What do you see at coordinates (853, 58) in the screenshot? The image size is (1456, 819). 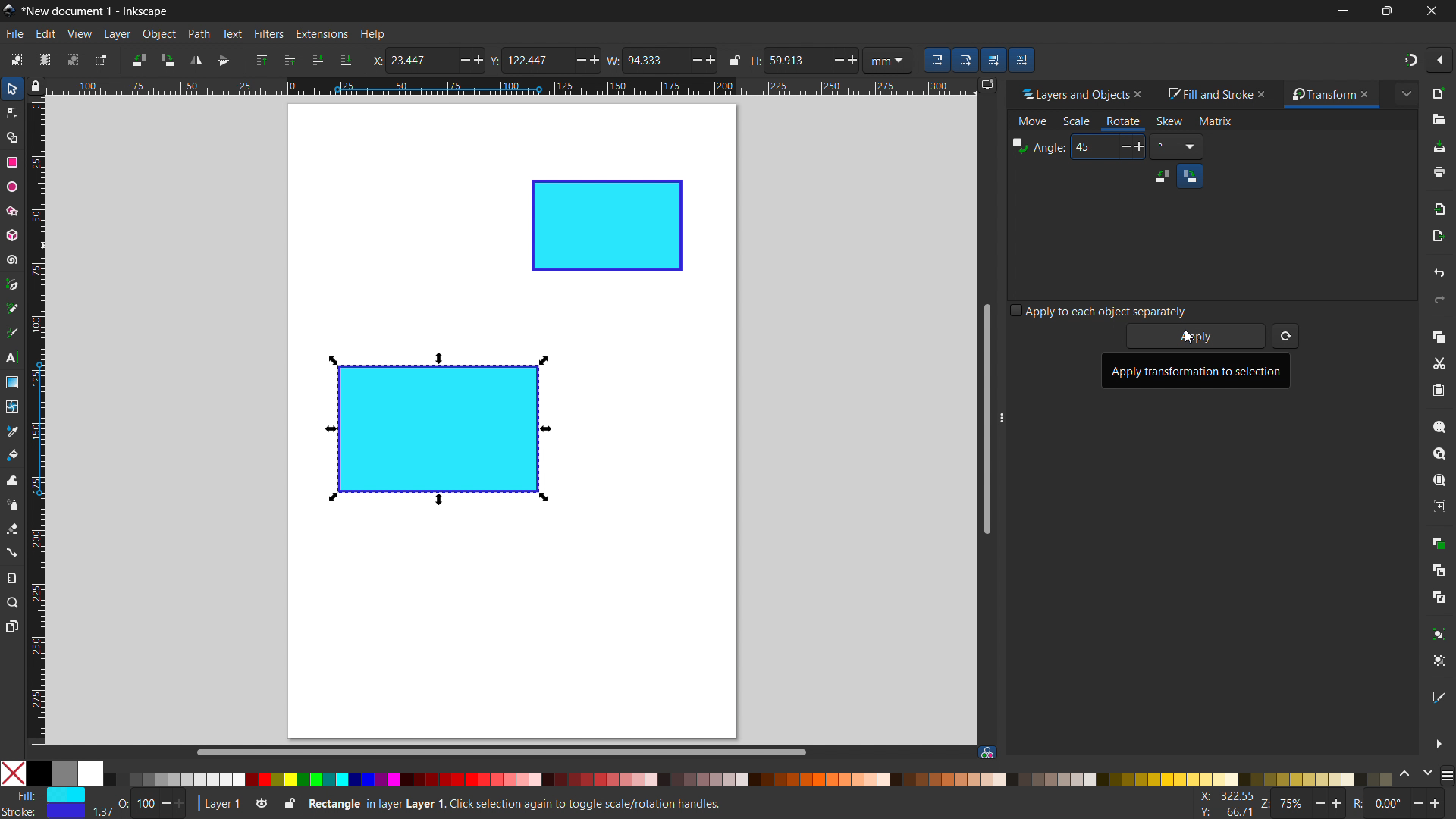 I see `Add/ increase` at bounding box center [853, 58].